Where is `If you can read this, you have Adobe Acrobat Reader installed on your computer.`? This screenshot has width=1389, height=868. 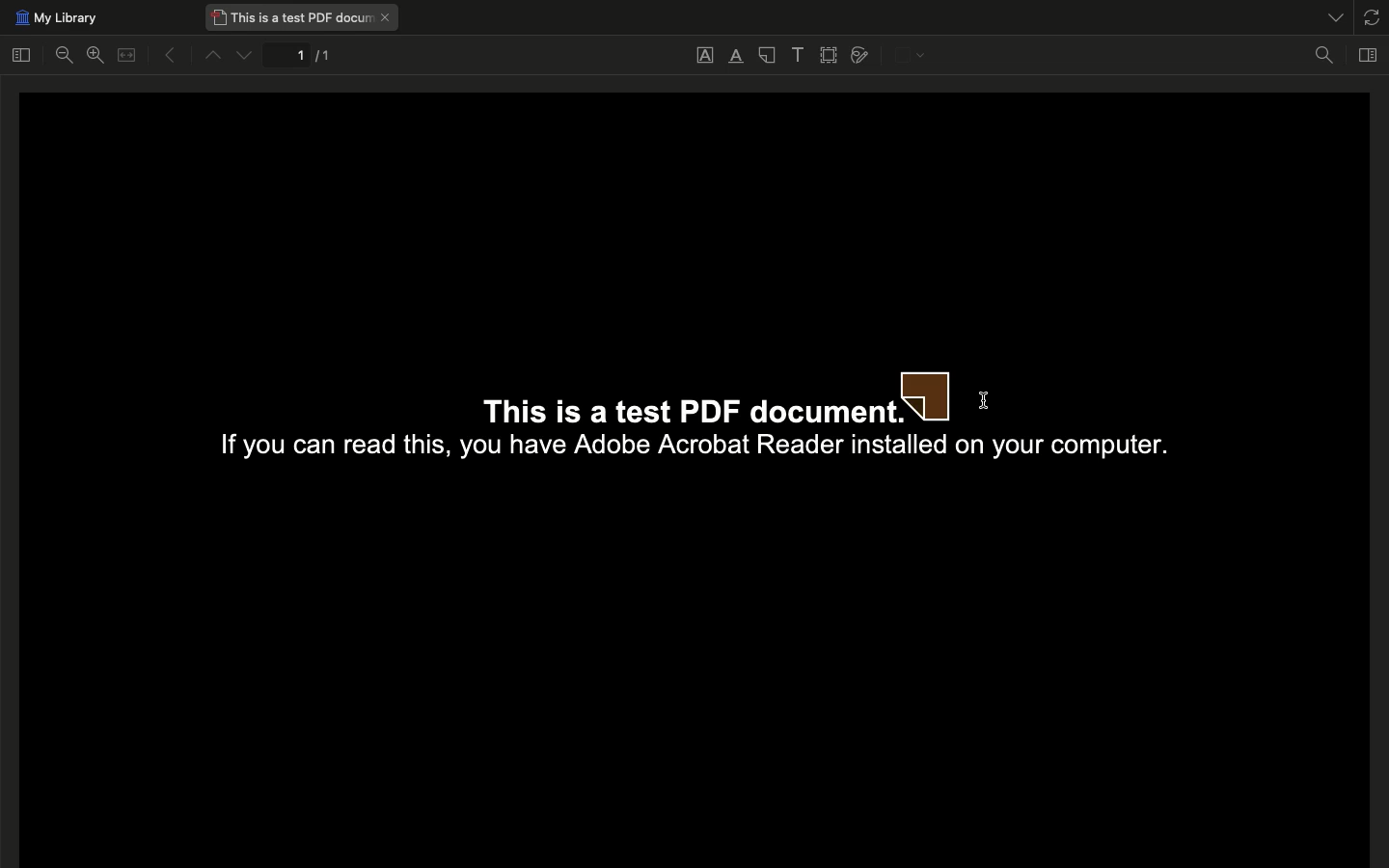 If you can read this, you have Adobe Acrobat Reader installed on your computer. is located at coordinates (690, 450).